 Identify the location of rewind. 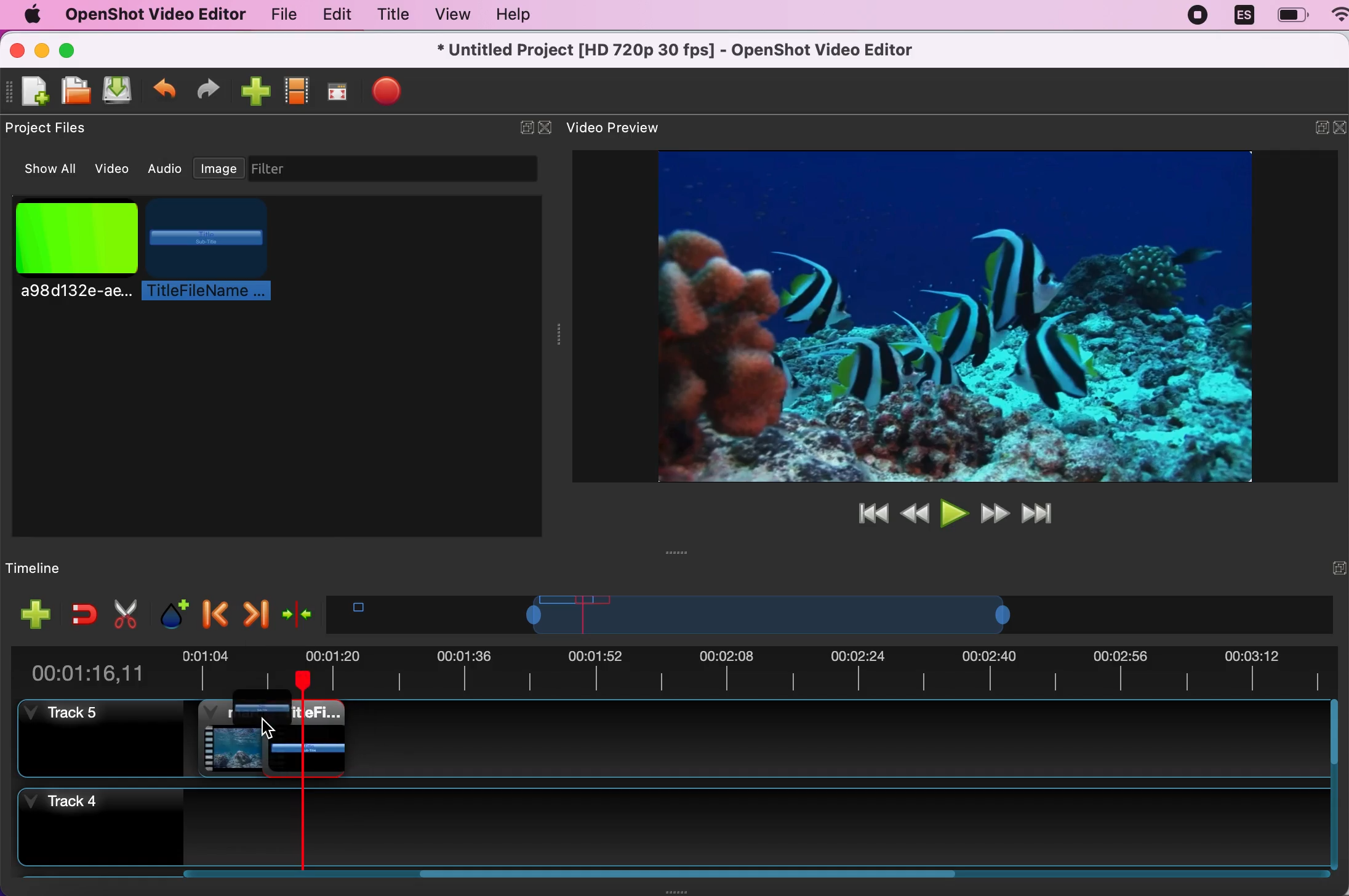
(915, 511).